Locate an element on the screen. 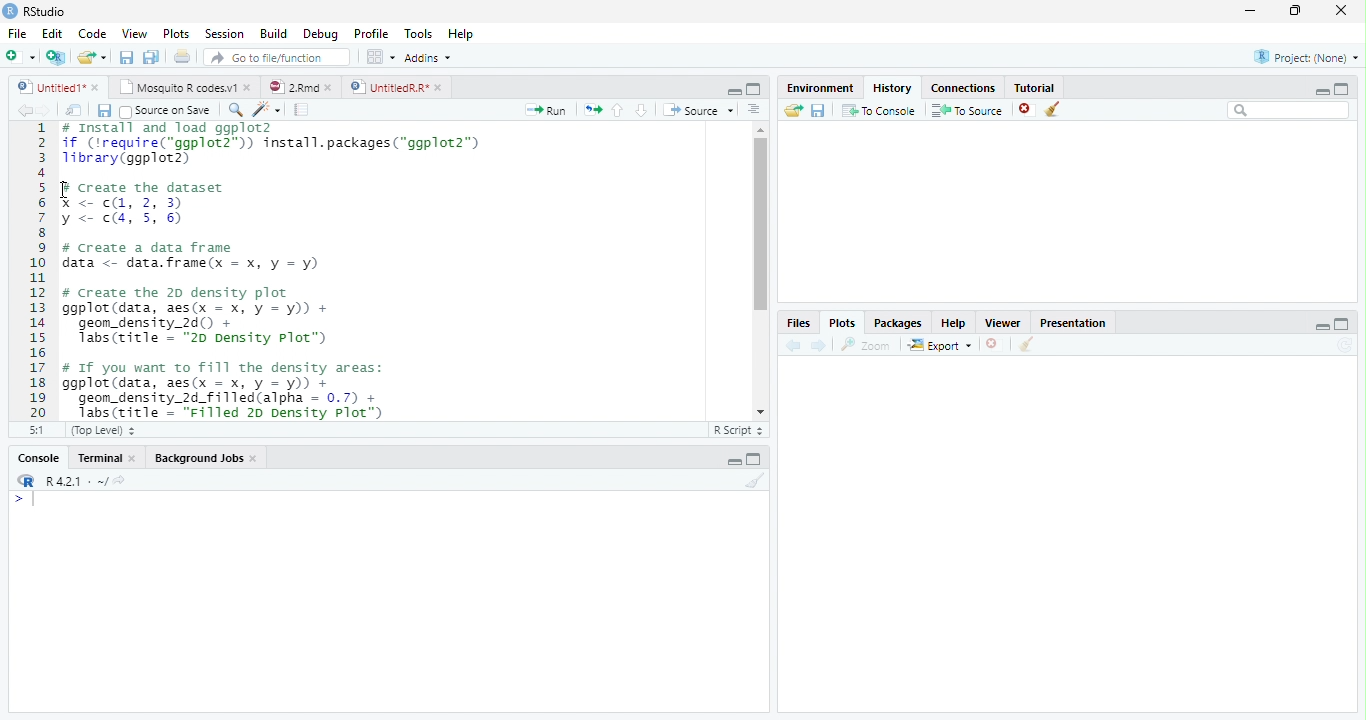 This screenshot has width=1366, height=720. show in window is located at coordinates (75, 111).